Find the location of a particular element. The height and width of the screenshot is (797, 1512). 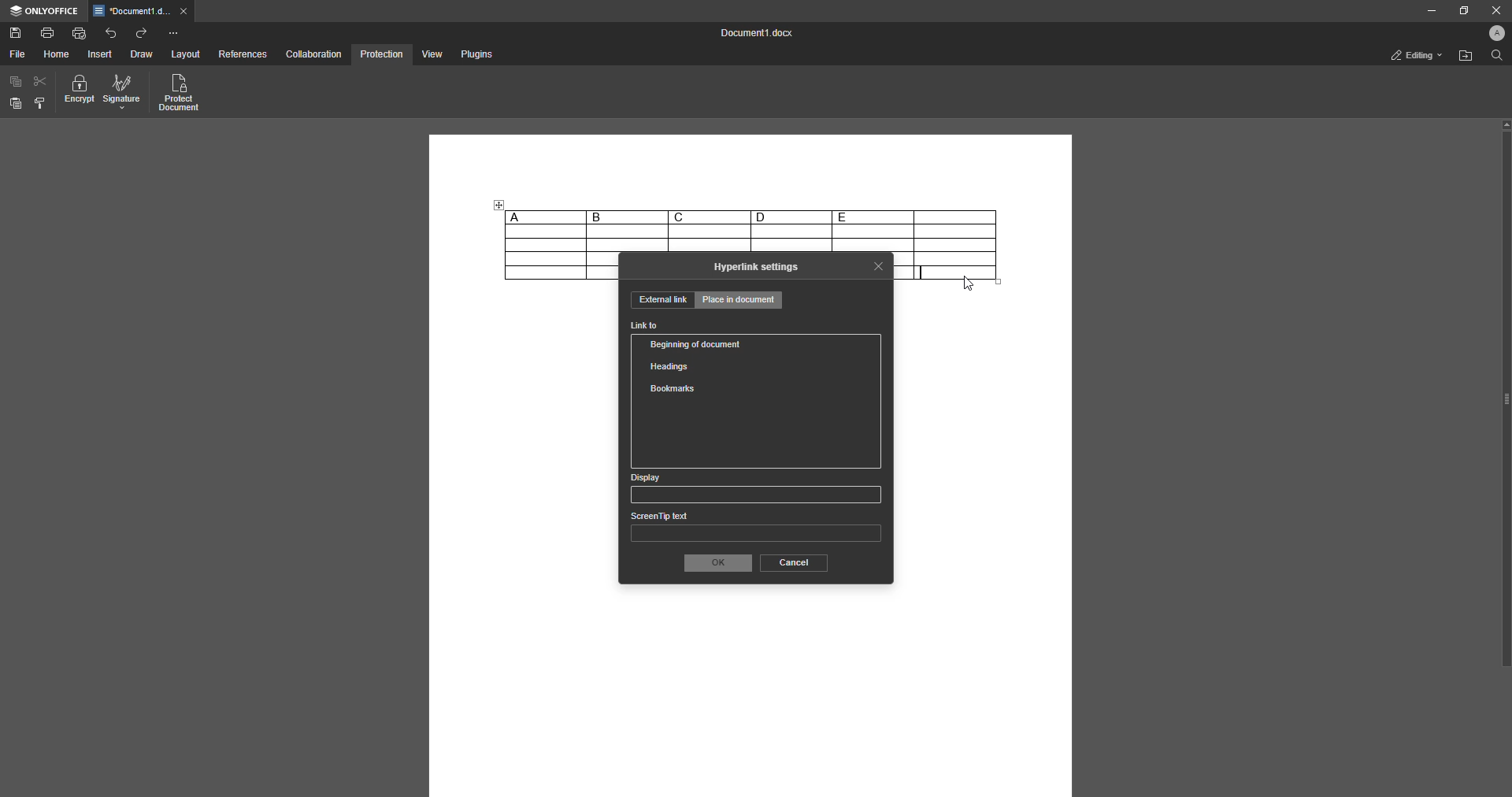

Display box is located at coordinates (753, 488).